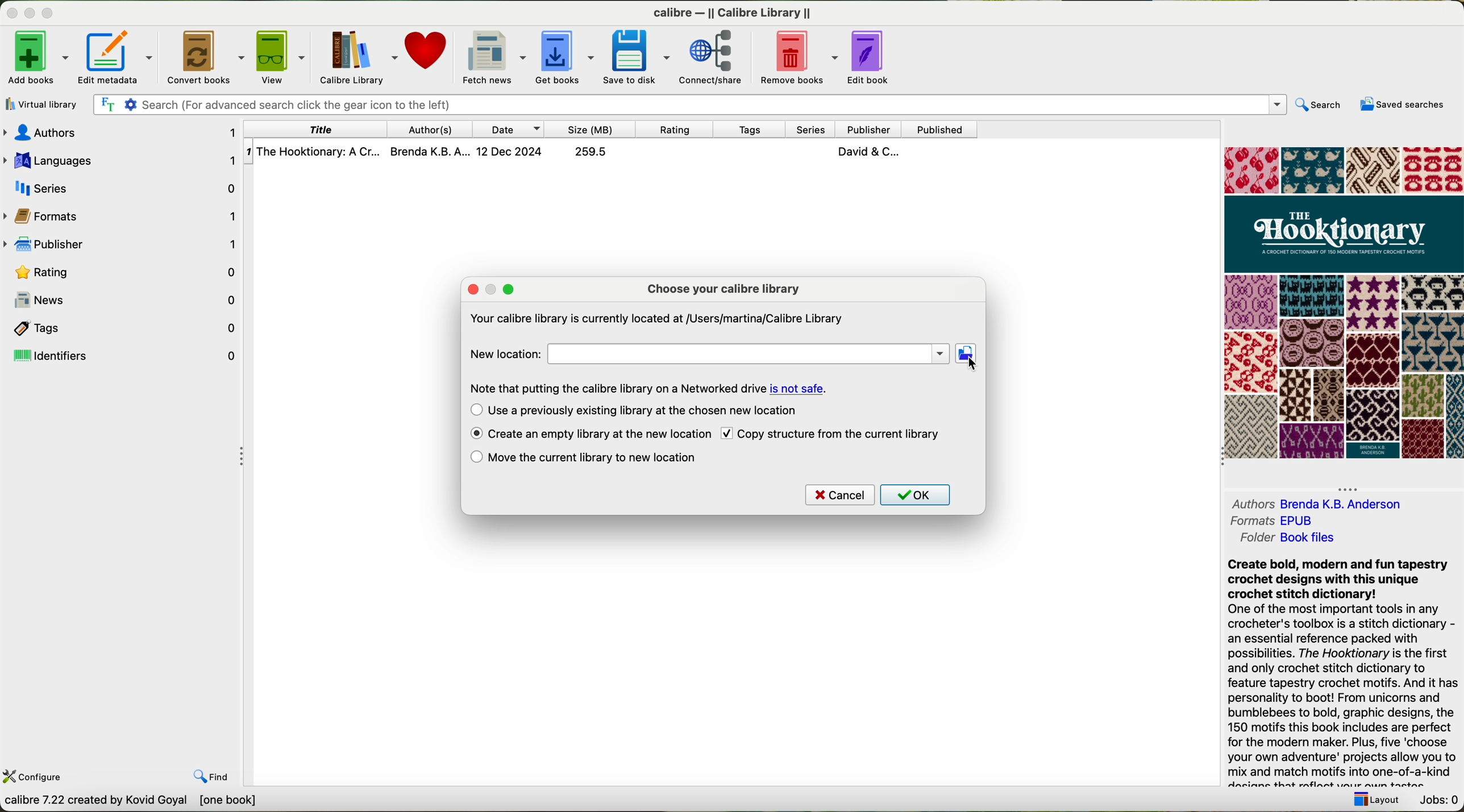  I want to click on authors Brenda K. B. Andreson, so click(1316, 504).